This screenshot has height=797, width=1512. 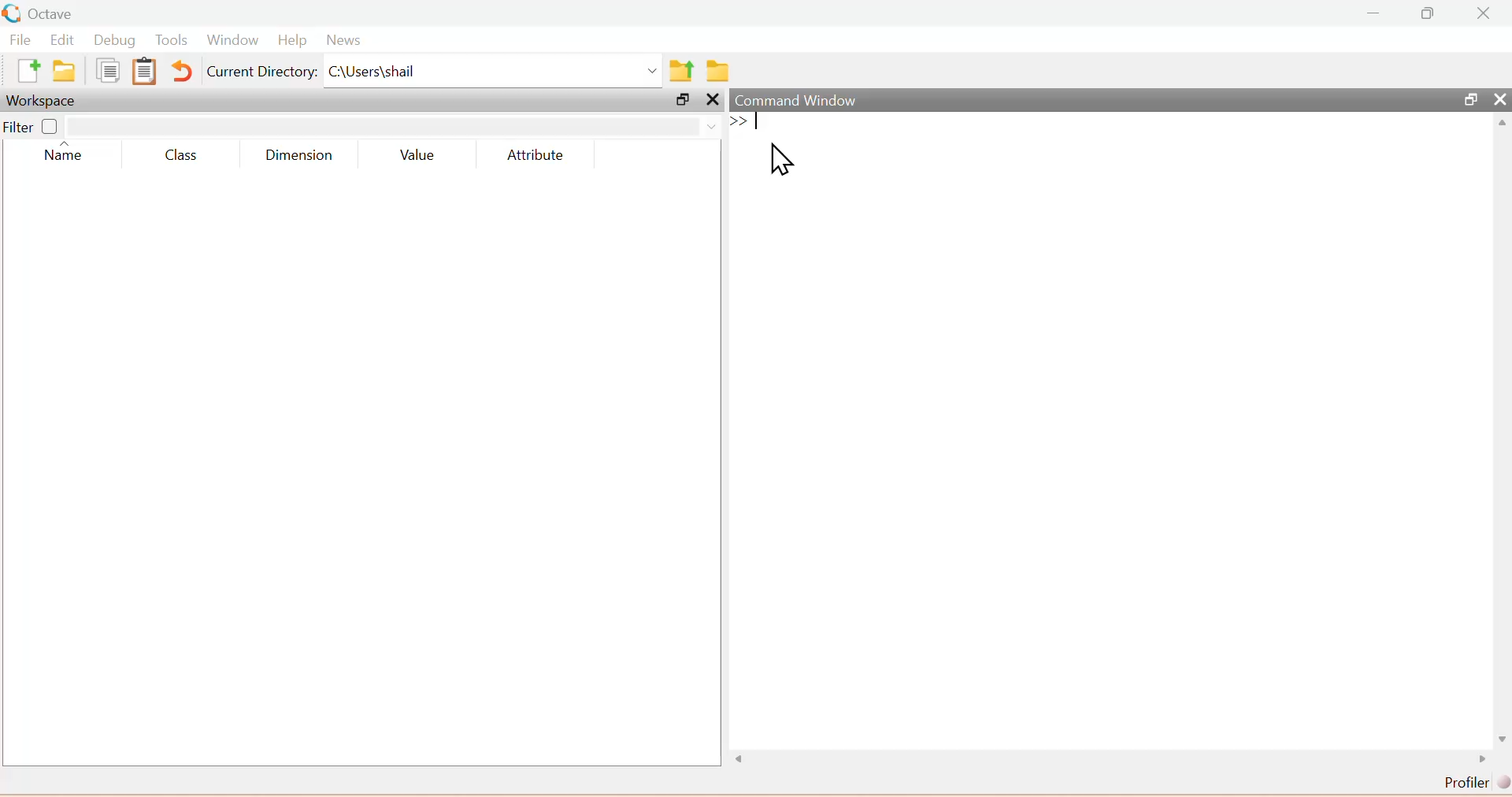 What do you see at coordinates (713, 99) in the screenshot?
I see `` at bounding box center [713, 99].